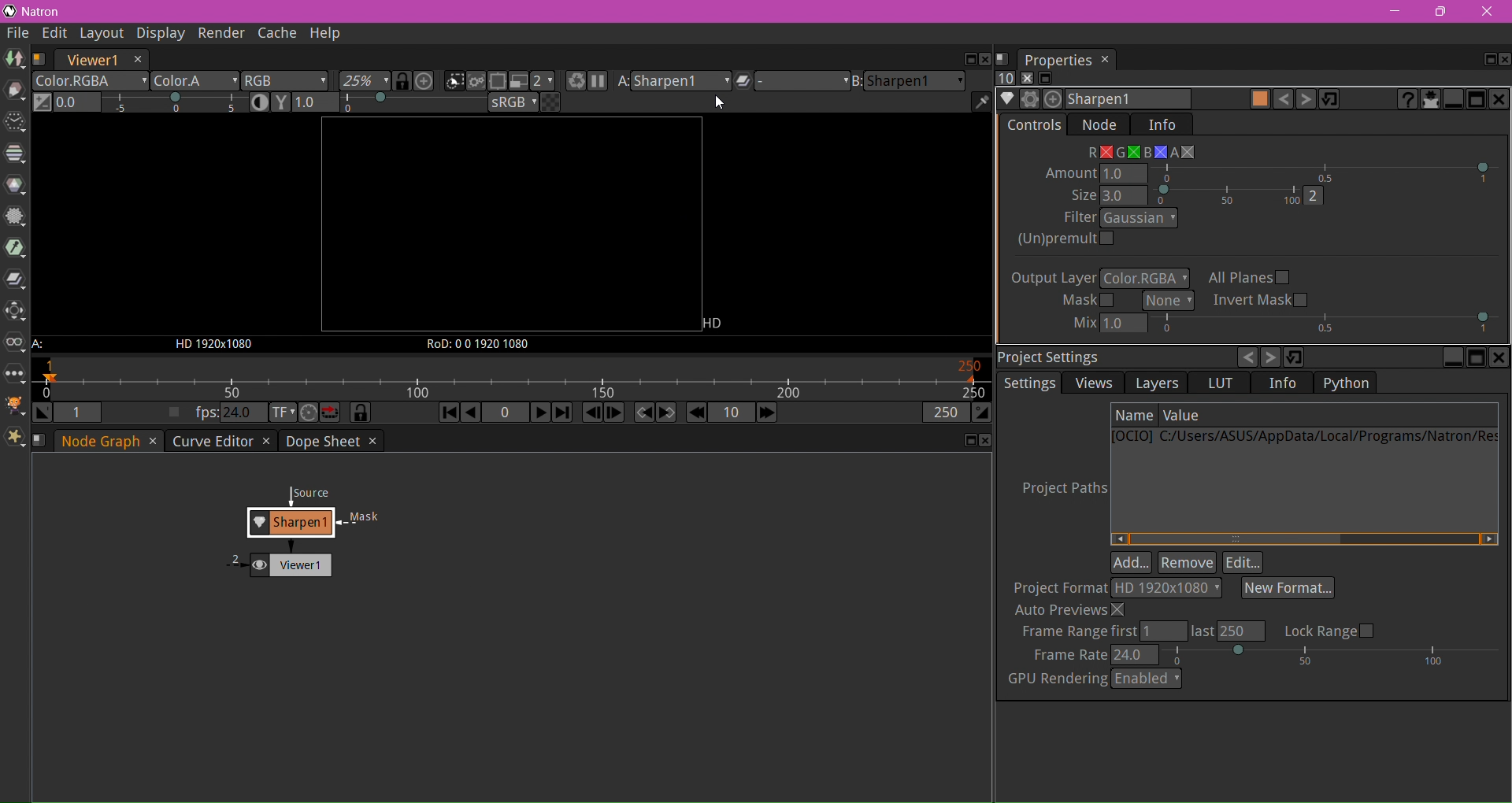 The image size is (1512, 803). Describe the element at coordinates (514, 104) in the screenshot. I see `Viewer color process` at that location.